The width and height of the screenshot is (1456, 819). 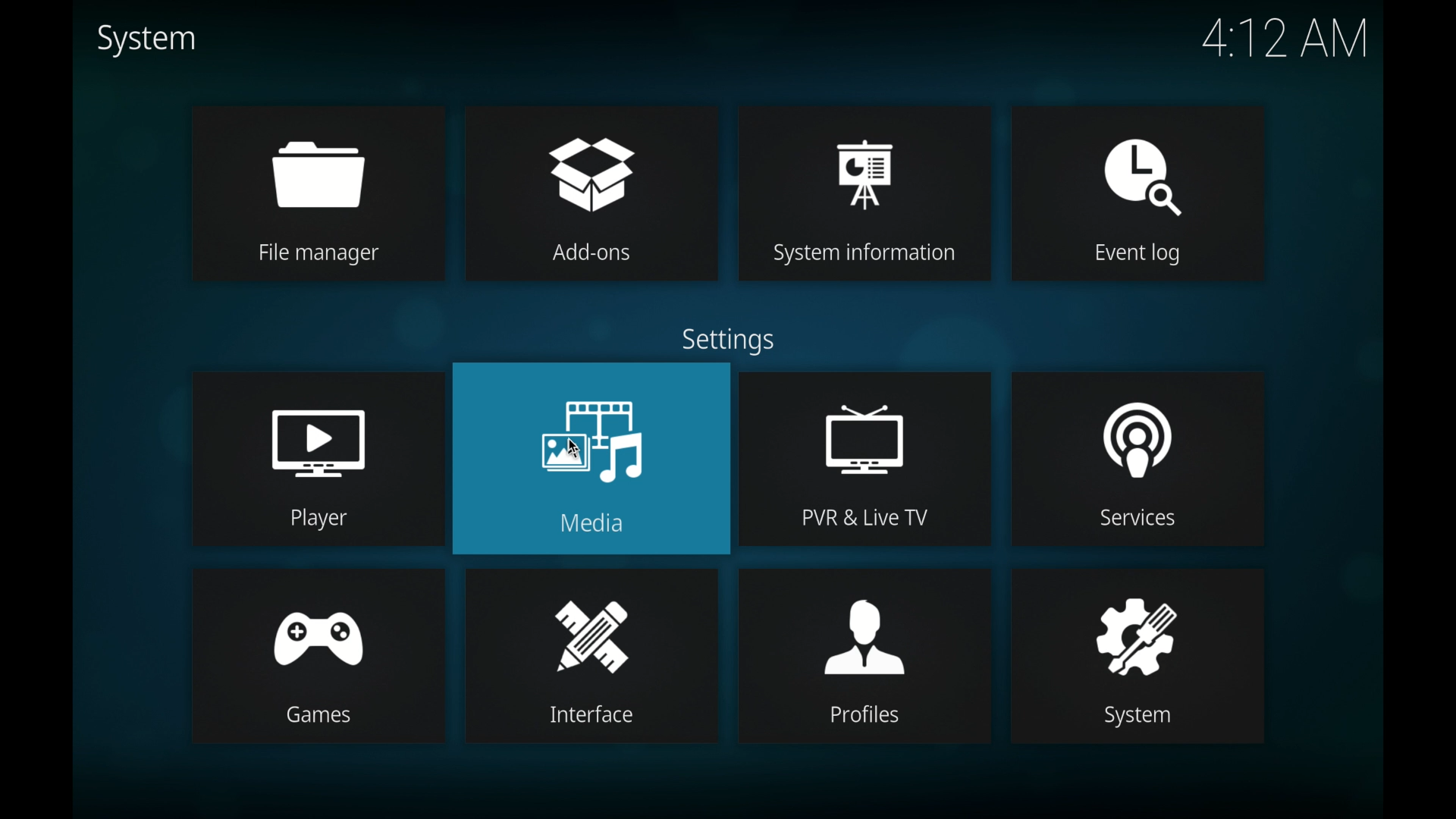 I want to click on player, so click(x=322, y=425).